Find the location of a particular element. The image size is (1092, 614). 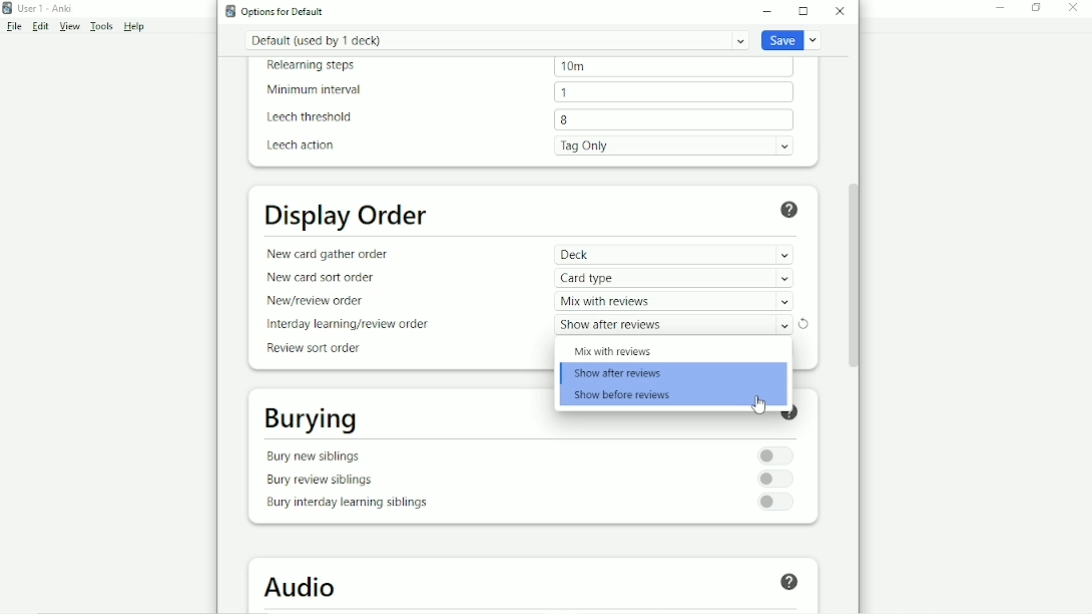

Minimize is located at coordinates (1001, 9).